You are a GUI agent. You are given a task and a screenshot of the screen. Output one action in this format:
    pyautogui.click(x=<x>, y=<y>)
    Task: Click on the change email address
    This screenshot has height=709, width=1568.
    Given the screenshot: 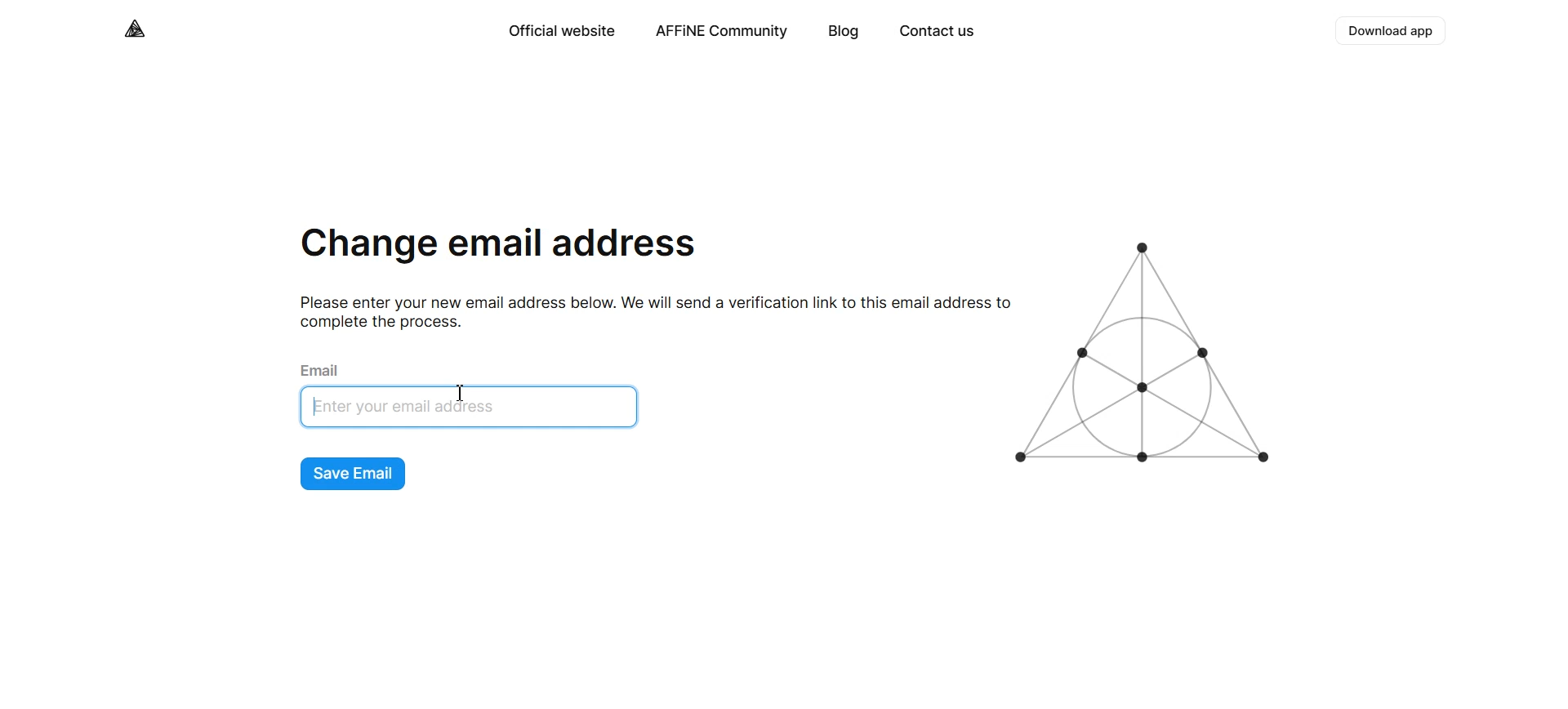 What is the action you would take?
    pyautogui.click(x=499, y=247)
    